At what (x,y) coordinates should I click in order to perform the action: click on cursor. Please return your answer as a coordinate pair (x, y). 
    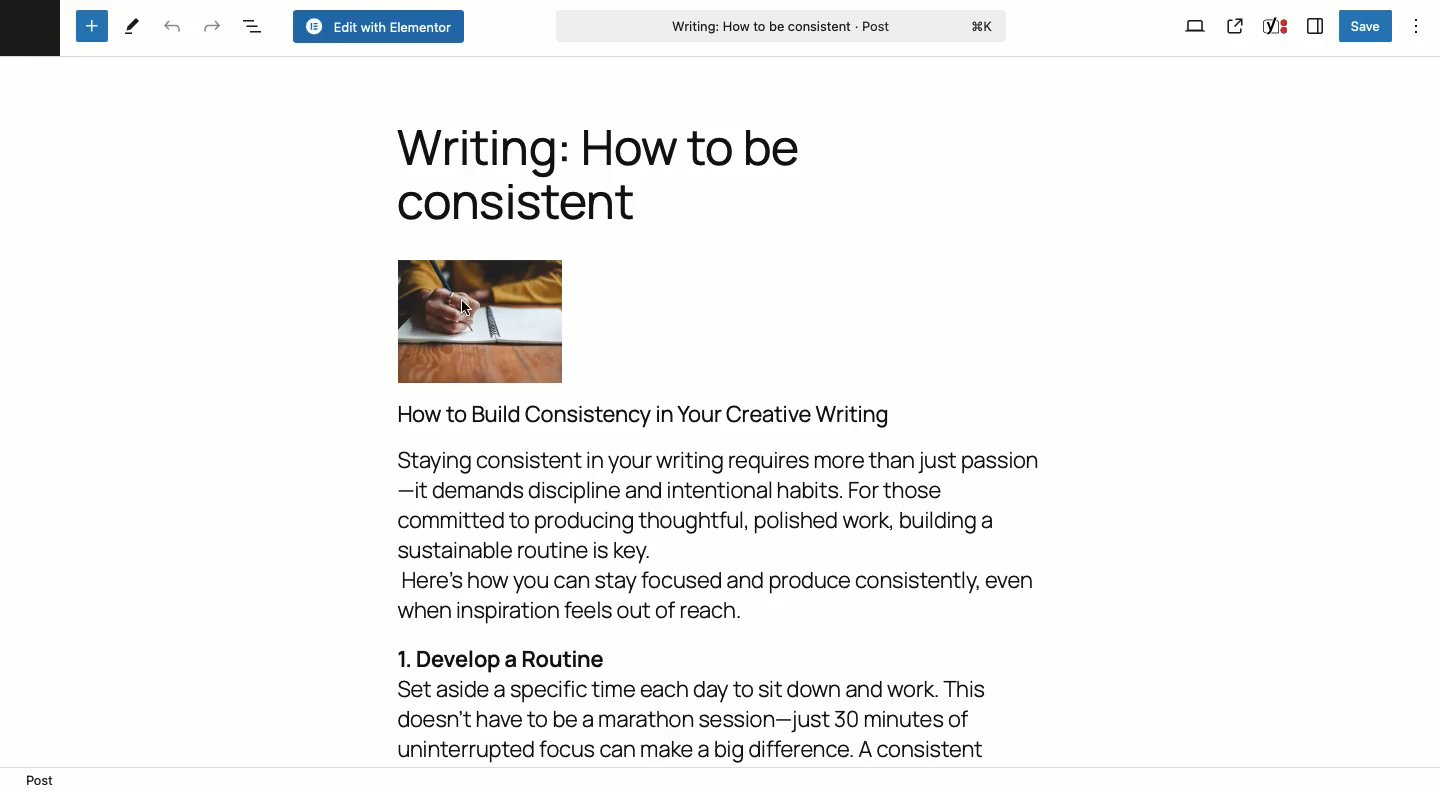
    Looking at the image, I should click on (463, 307).